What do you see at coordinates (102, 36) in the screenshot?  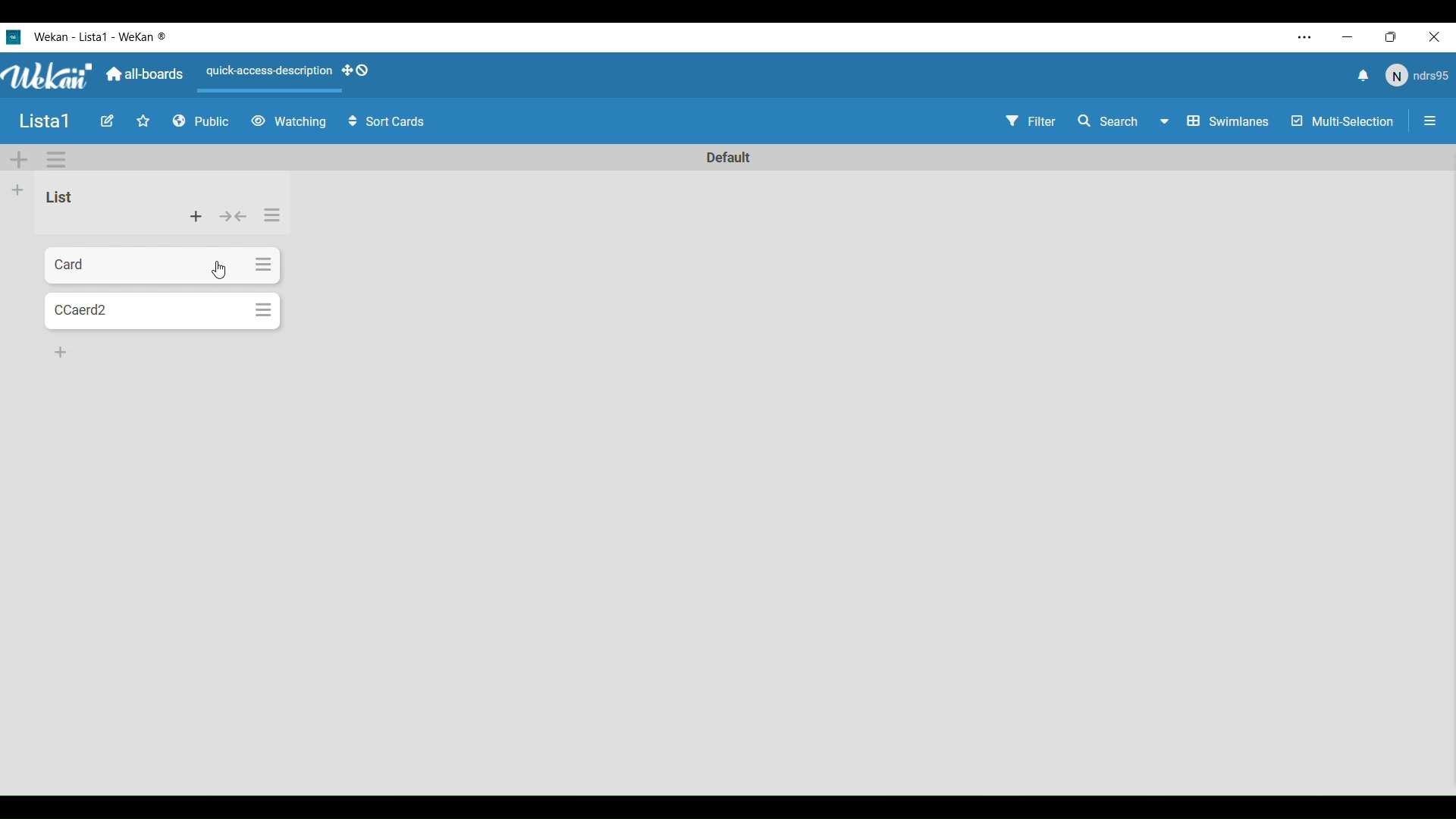 I see `WeKan` at bounding box center [102, 36].